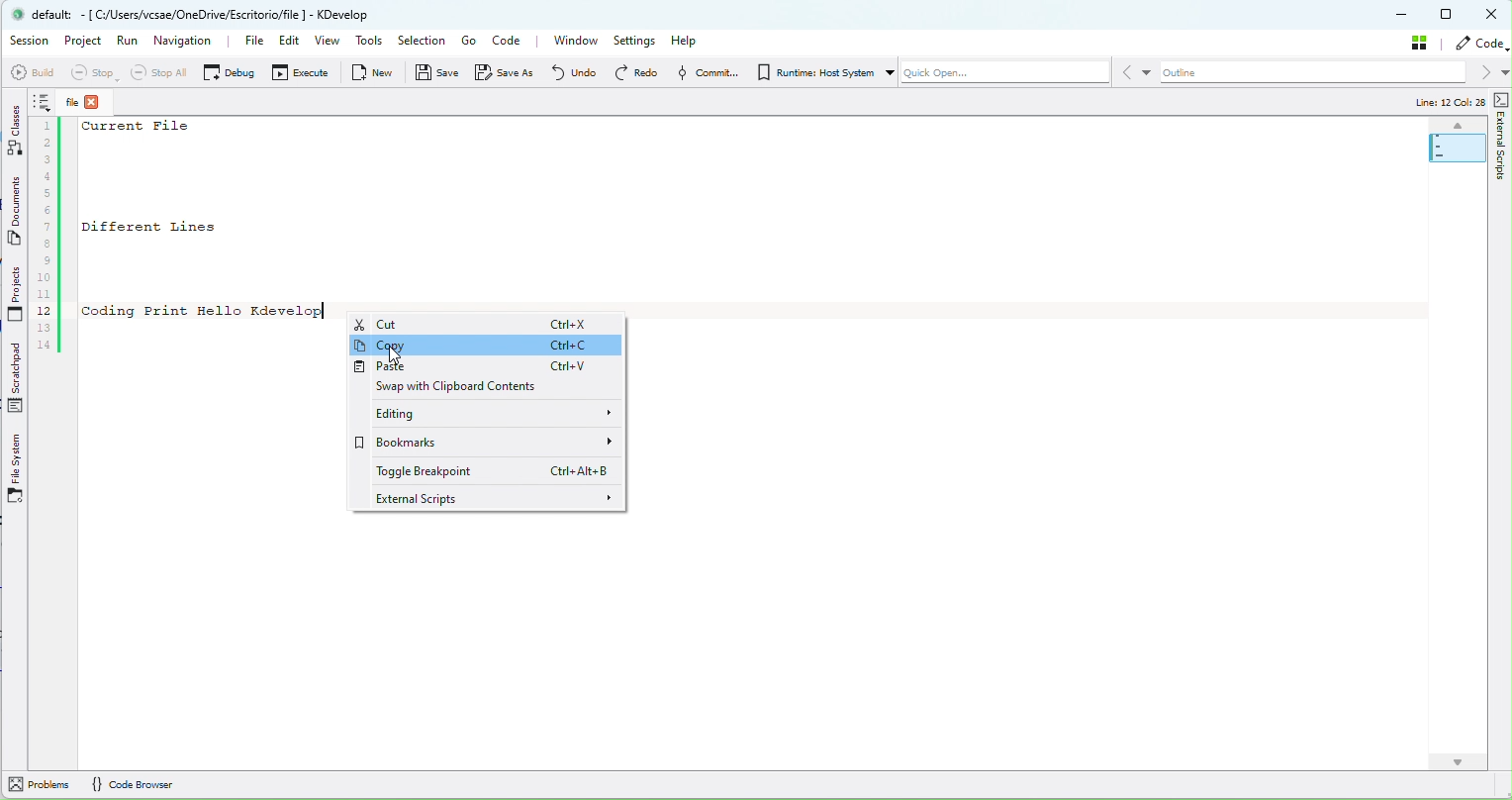  I want to click on stop, so click(92, 73).